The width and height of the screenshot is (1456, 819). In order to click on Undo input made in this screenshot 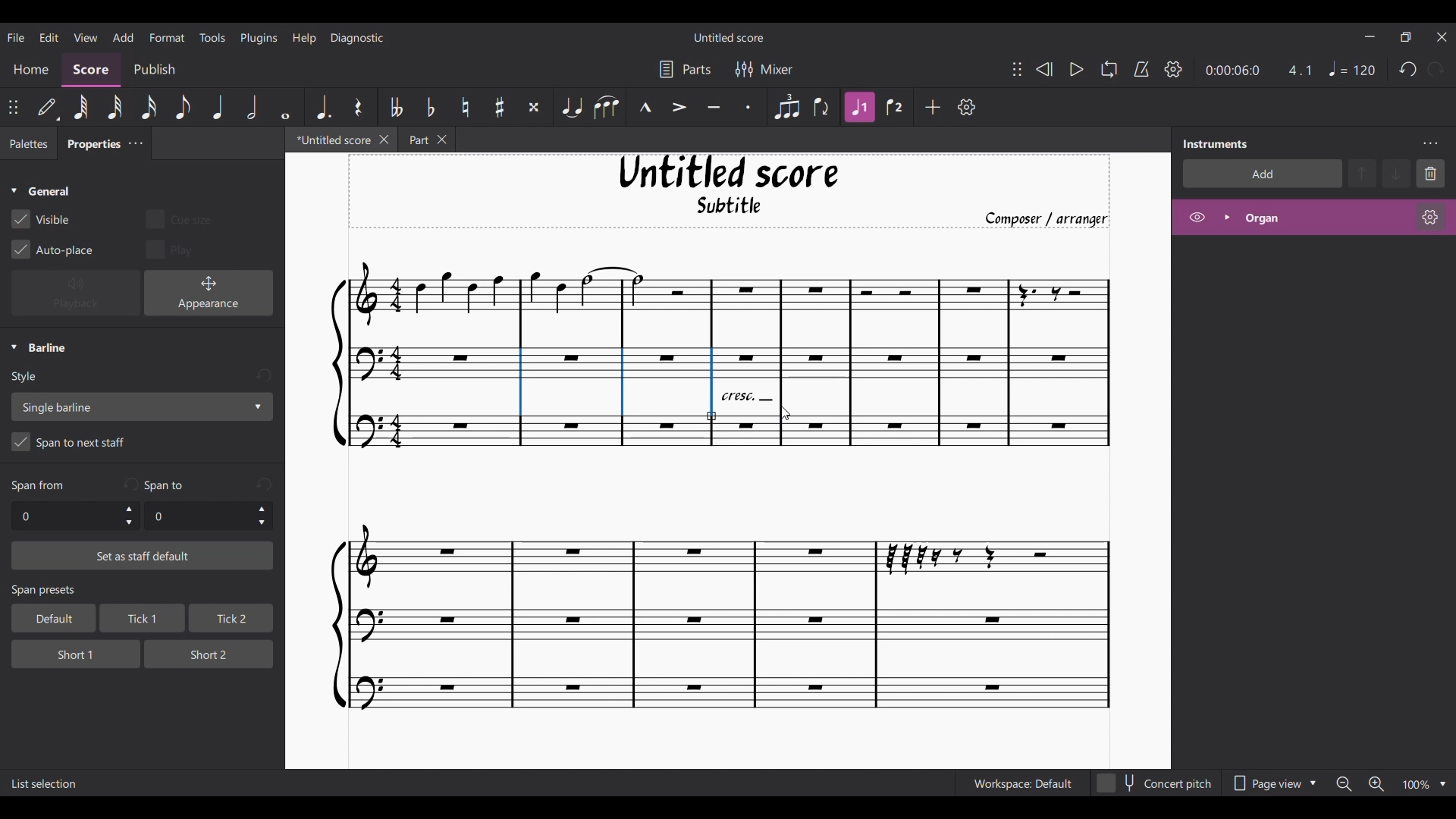, I will do `click(130, 484)`.